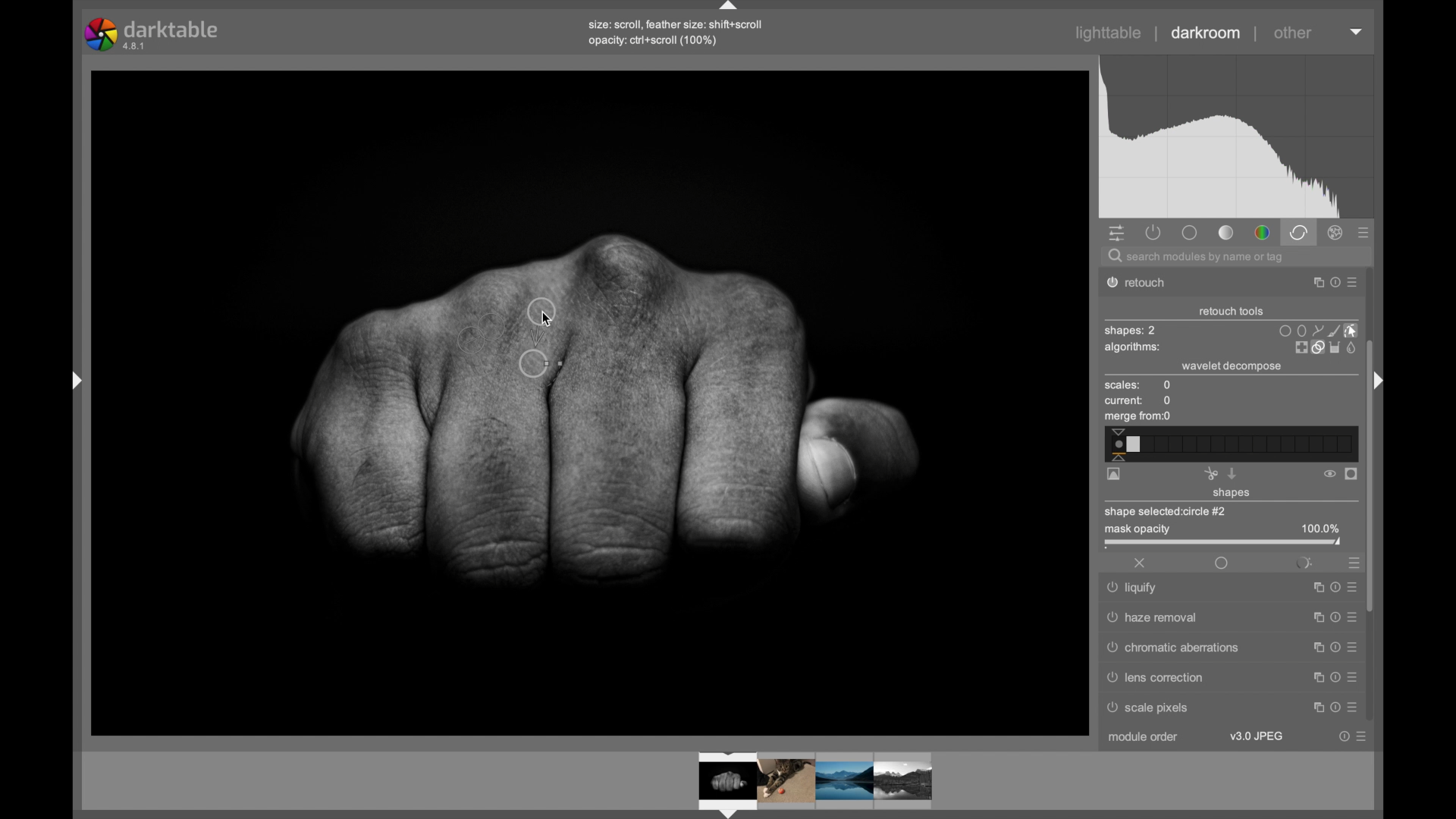 This screenshot has height=819, width=1456. I want to click on photo, so click(591, 400).